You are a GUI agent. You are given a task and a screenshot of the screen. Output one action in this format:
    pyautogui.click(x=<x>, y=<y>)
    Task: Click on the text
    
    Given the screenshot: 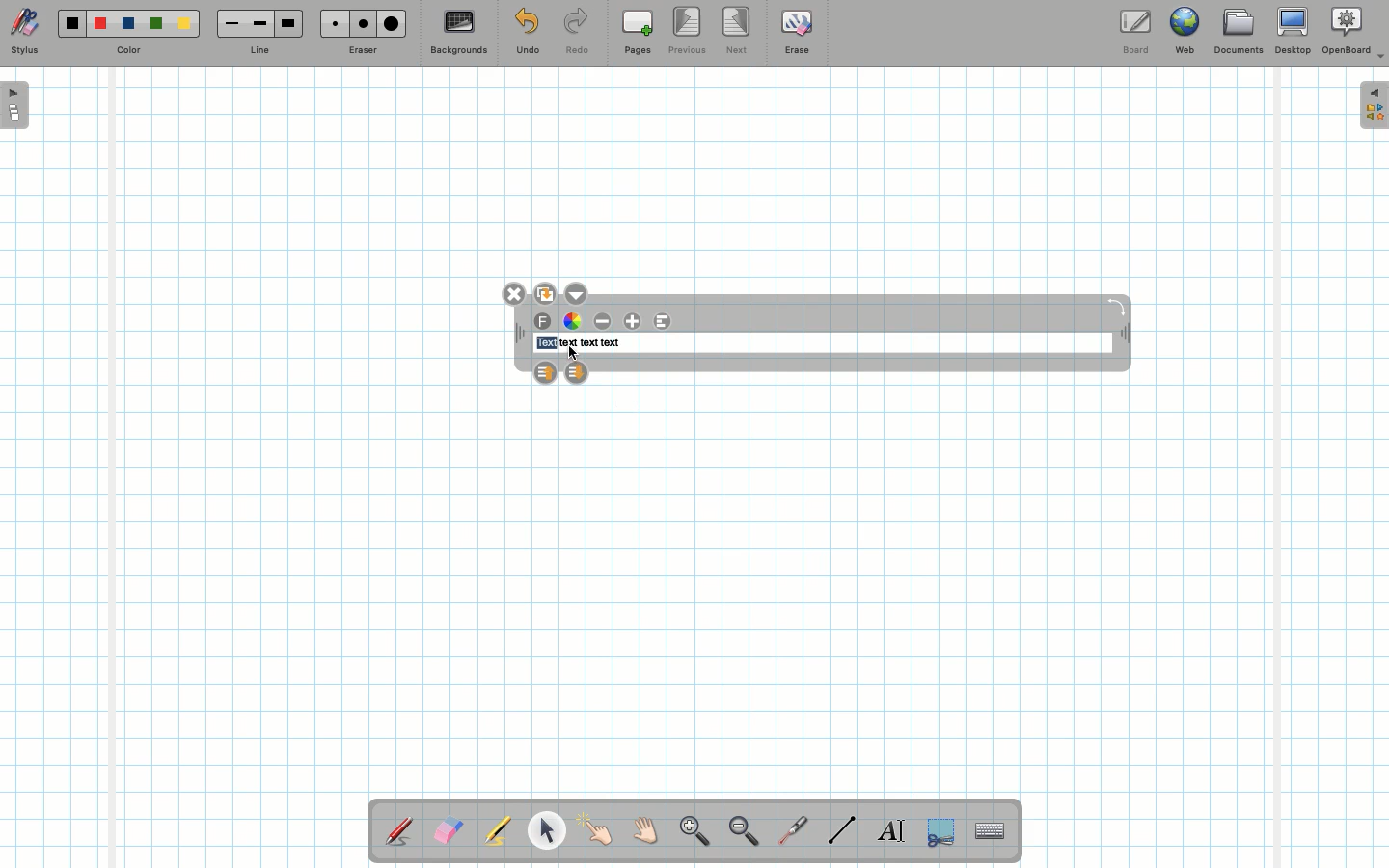 What is the action you would take?
    pyautogui.click(x=589, y=343)
    